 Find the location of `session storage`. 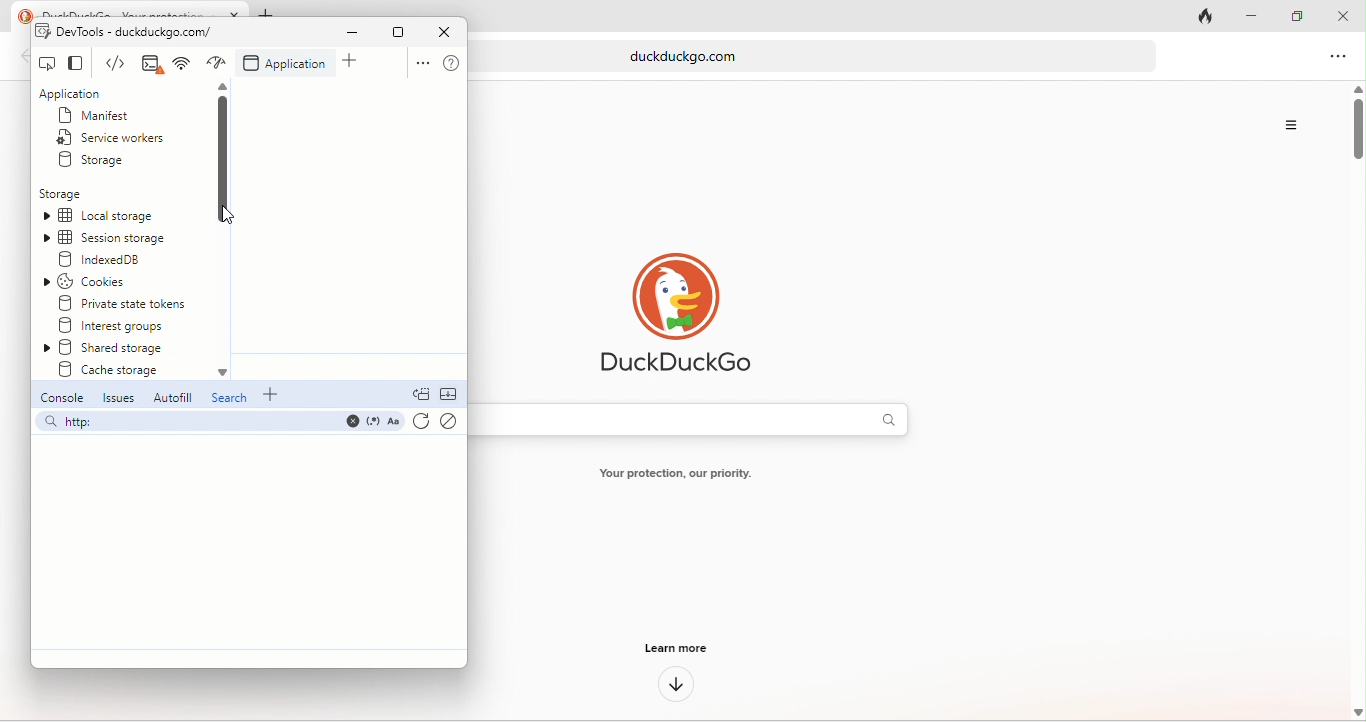

session storage is located at coordinates (105, 240).